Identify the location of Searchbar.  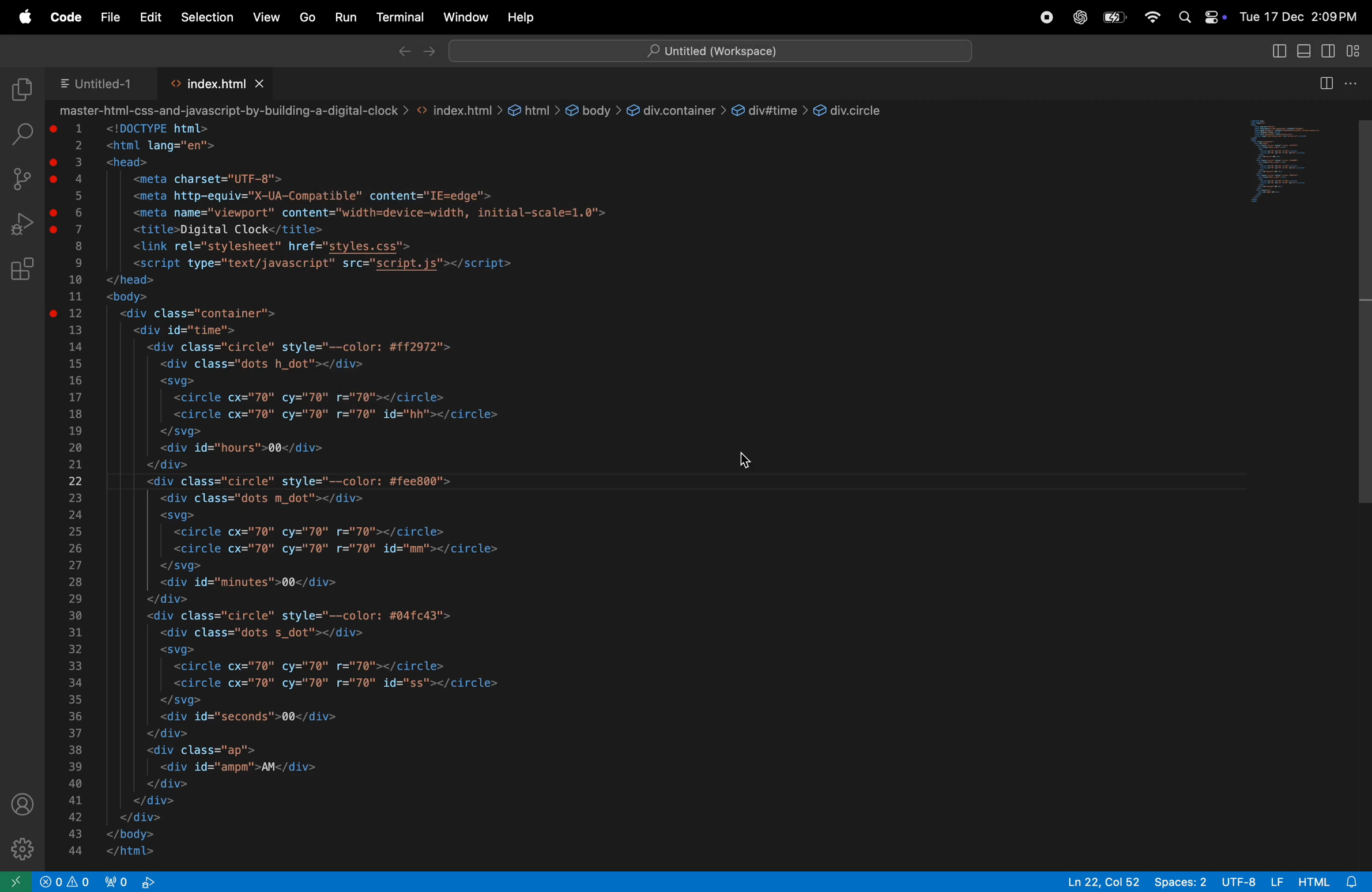
(714, 50).